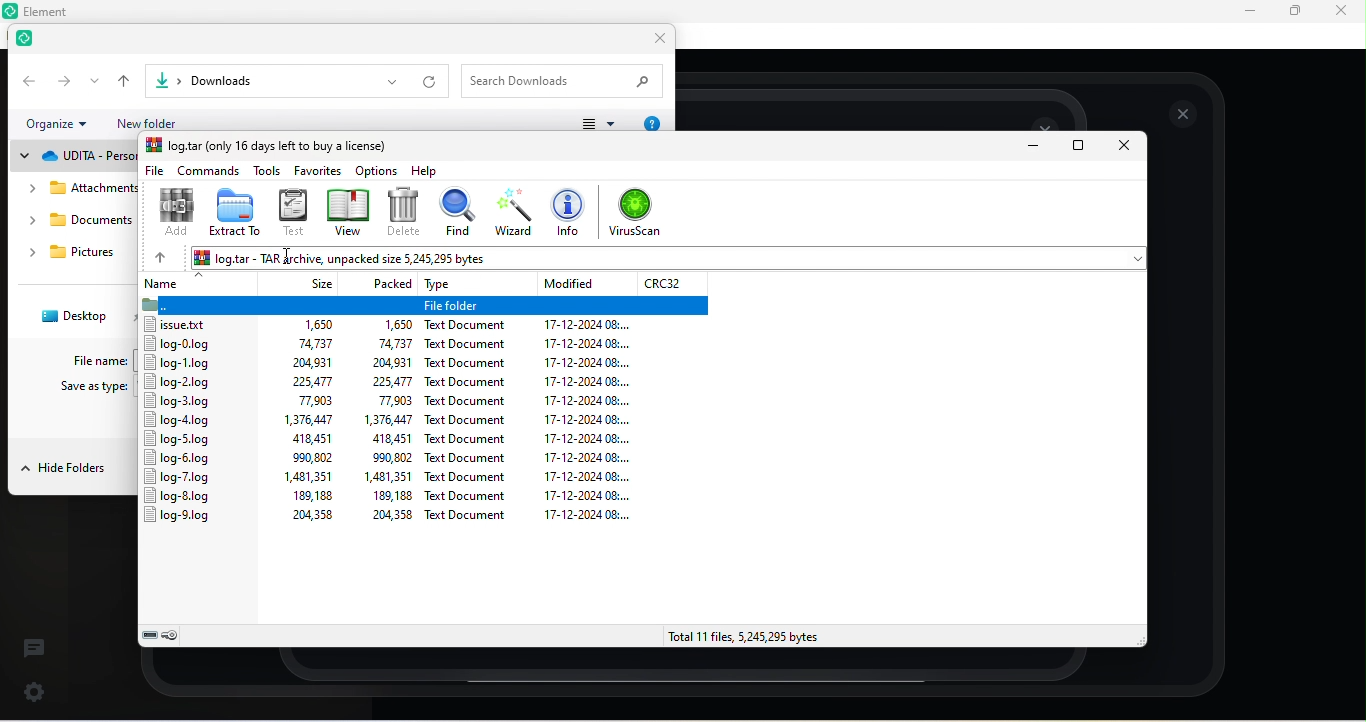 The width and height of the screenshot is (1366, 722). What do you see at coordinates (1184, 114) in the screenshot?
I see `close` at bounding box center [1184, 114].